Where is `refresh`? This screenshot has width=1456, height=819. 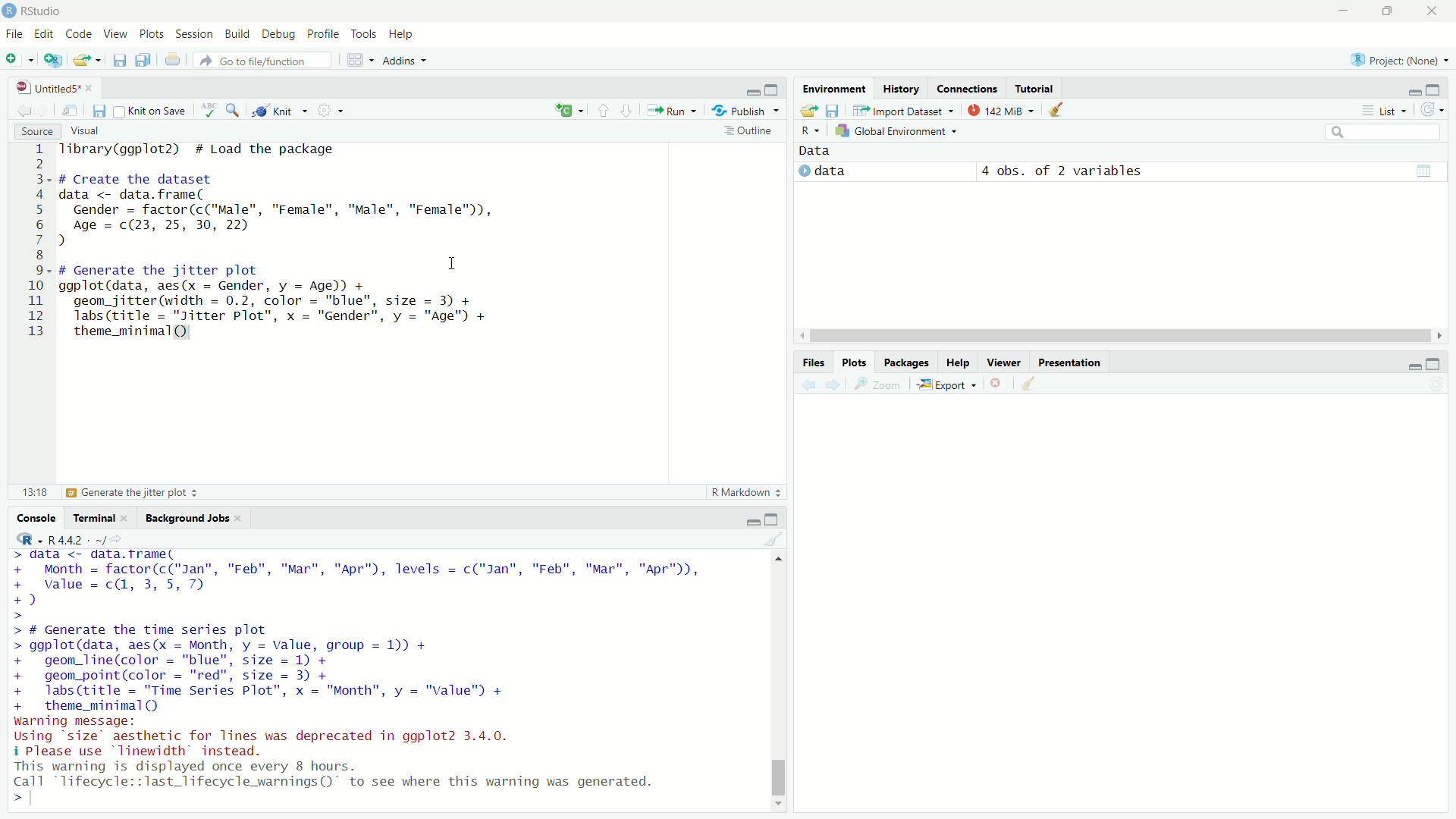
refresh is located at coordinates (1437, 110).